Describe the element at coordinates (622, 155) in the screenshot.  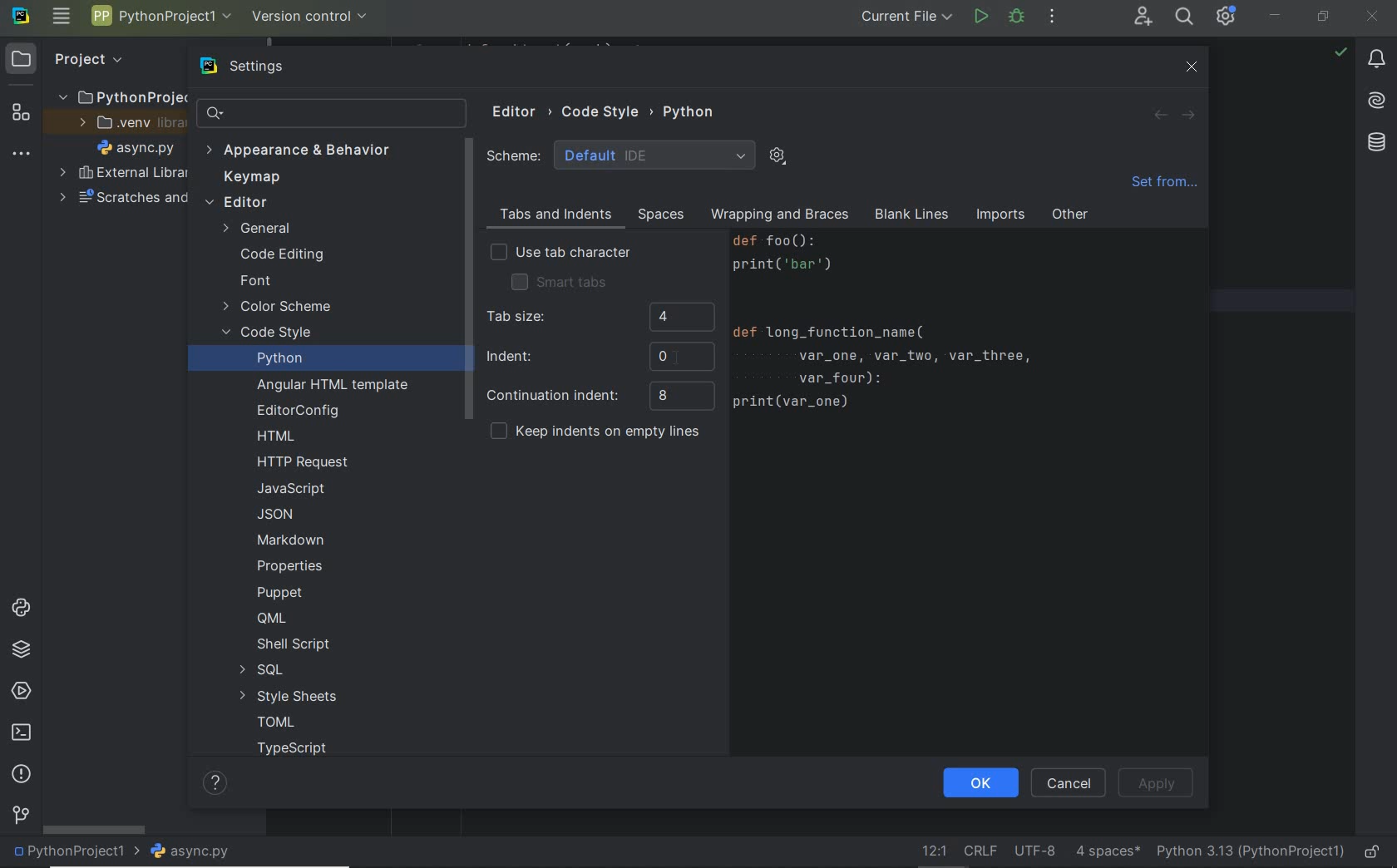
I see `SCHEME` at that location.